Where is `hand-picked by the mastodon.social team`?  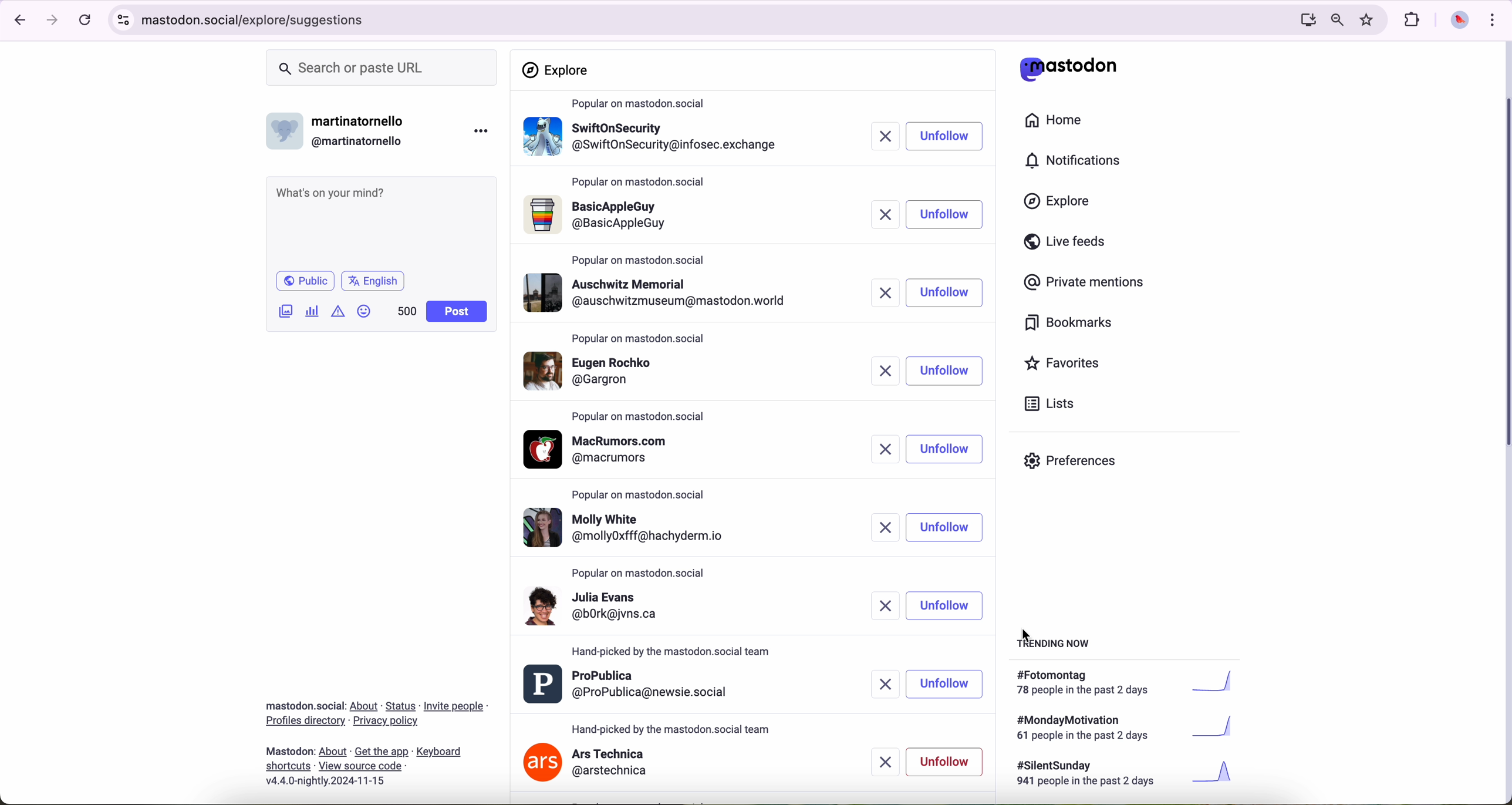 hand-picked by the mastodon.social team is located at coordinates (672, 727).